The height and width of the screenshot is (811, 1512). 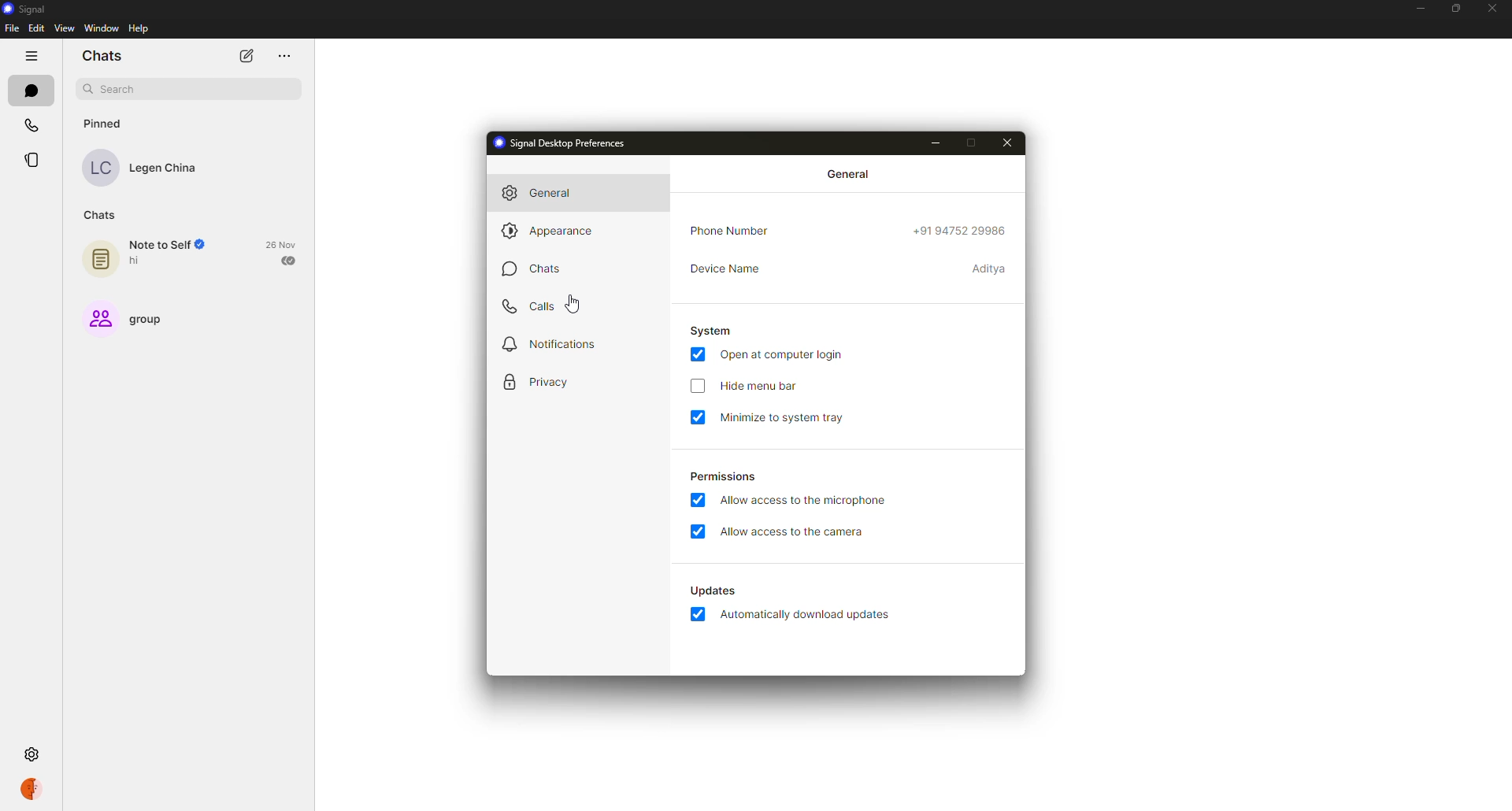 I want to click on new chat, so click(x=246, y=55).